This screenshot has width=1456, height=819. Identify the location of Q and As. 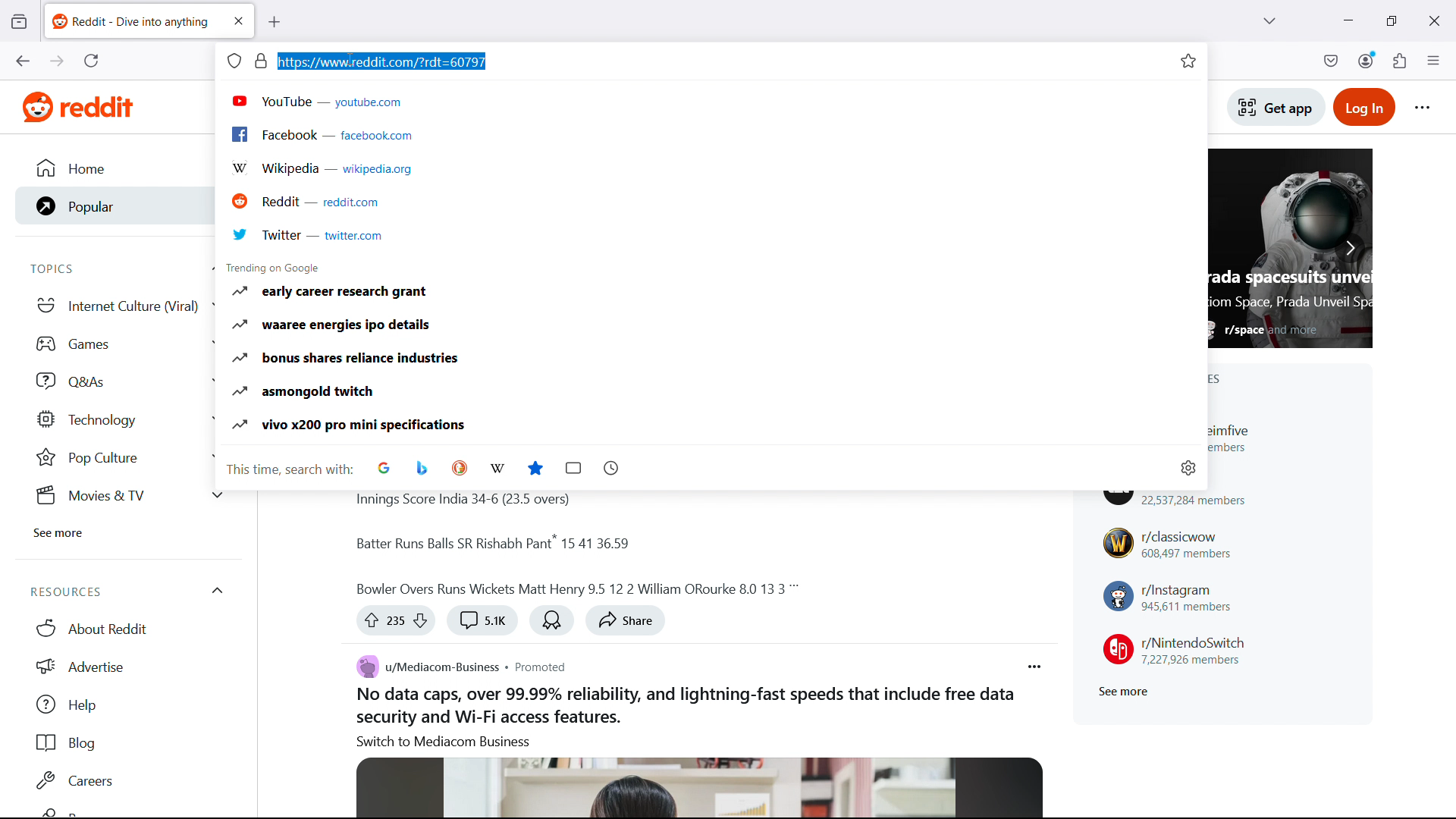
(113, 379).